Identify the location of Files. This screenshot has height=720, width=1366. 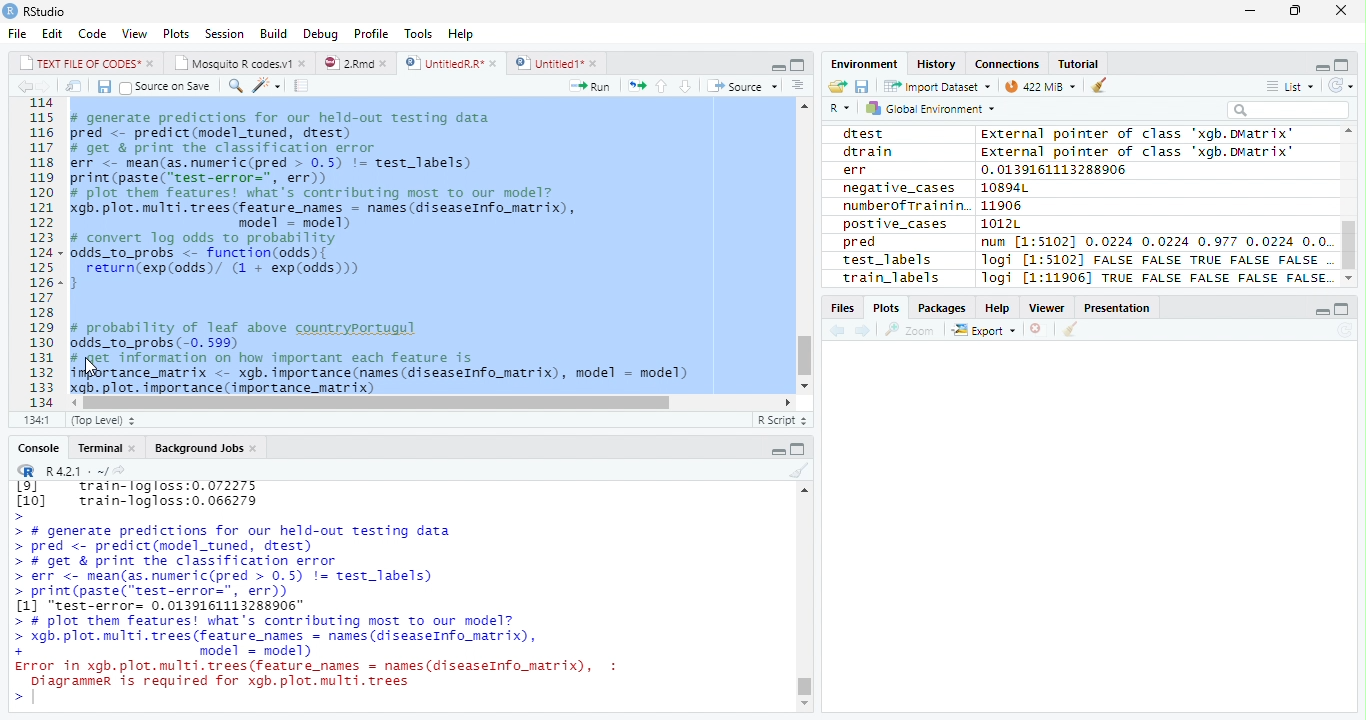
(842, 308).